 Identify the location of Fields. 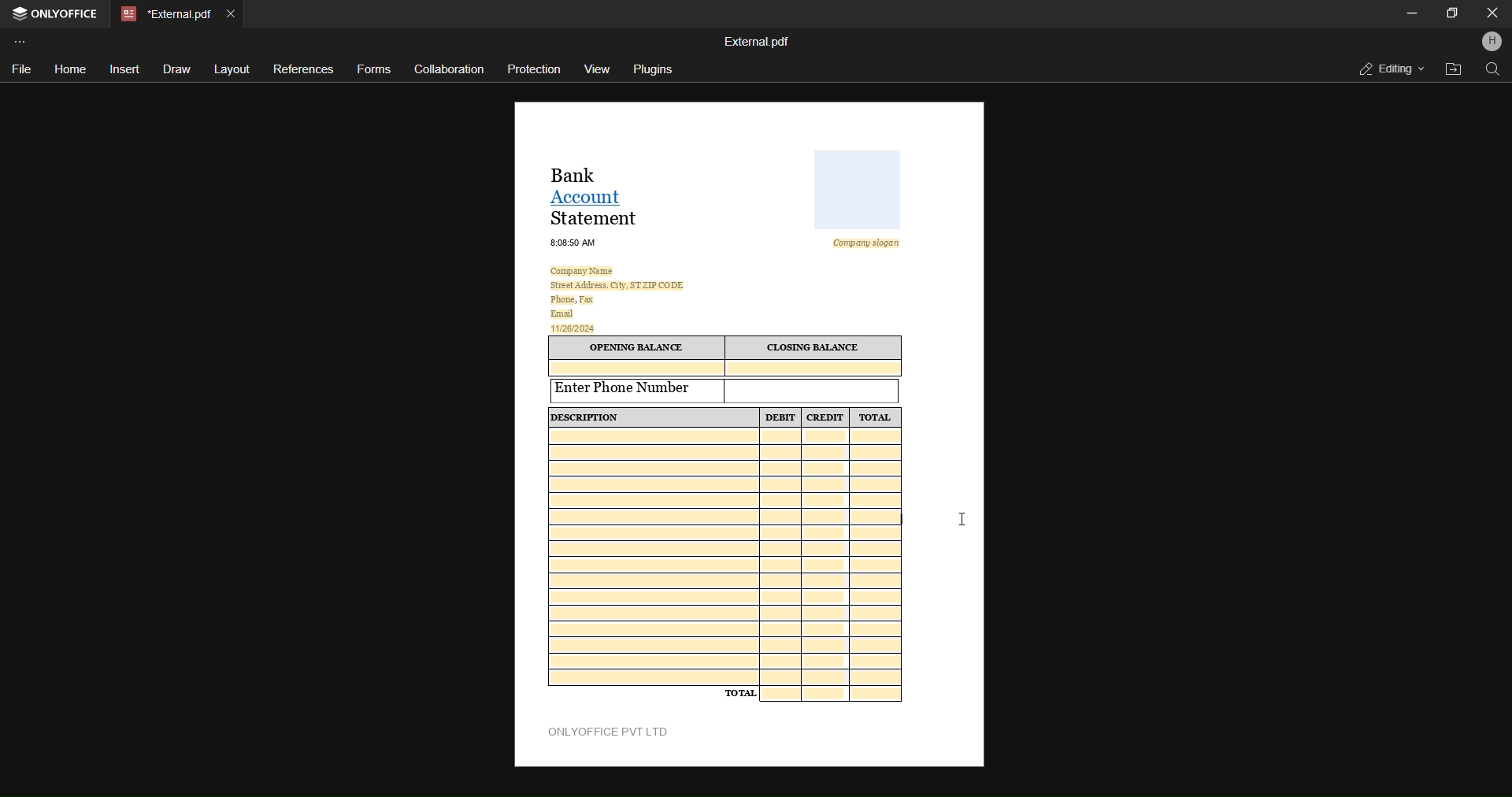
(726, 557).